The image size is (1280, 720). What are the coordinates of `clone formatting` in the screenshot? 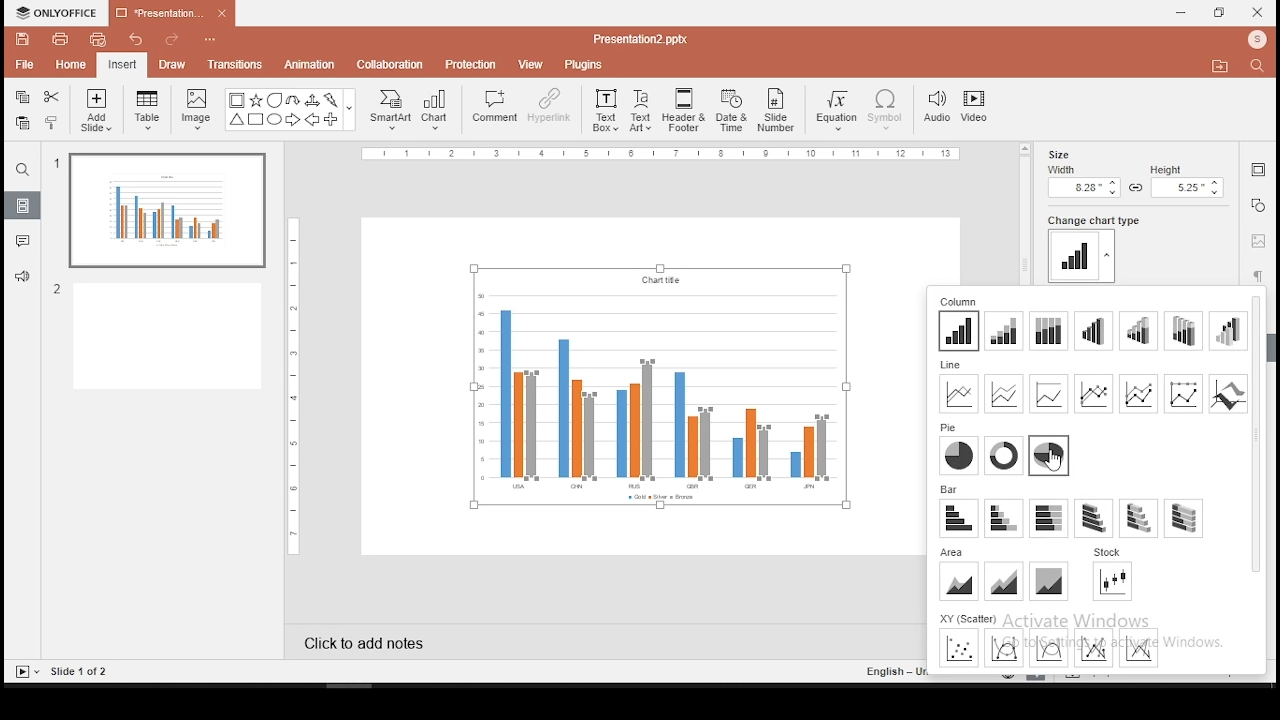 It's located at (52, 124).